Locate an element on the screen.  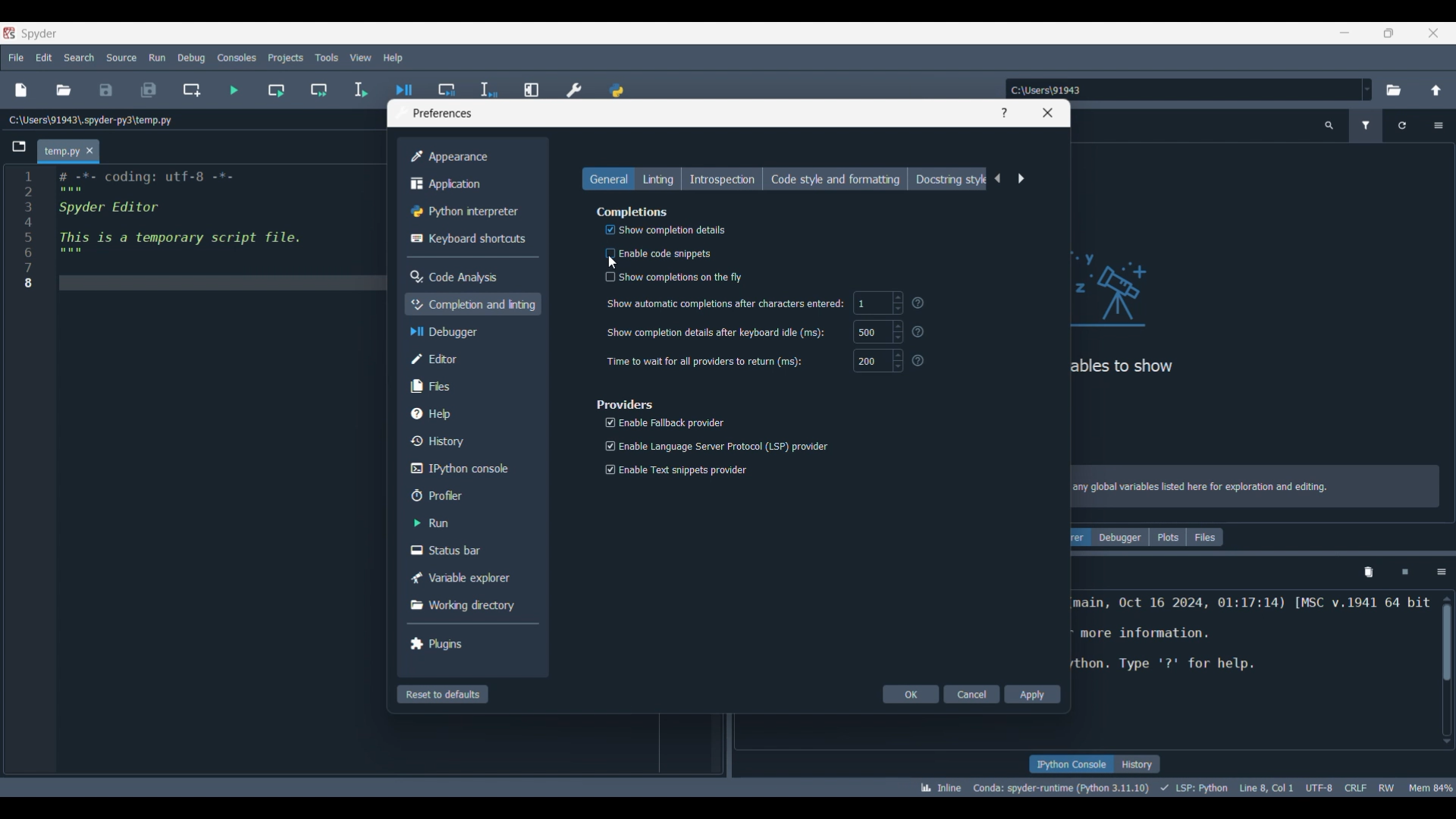
IPython console is located at coordinates (469, 469).